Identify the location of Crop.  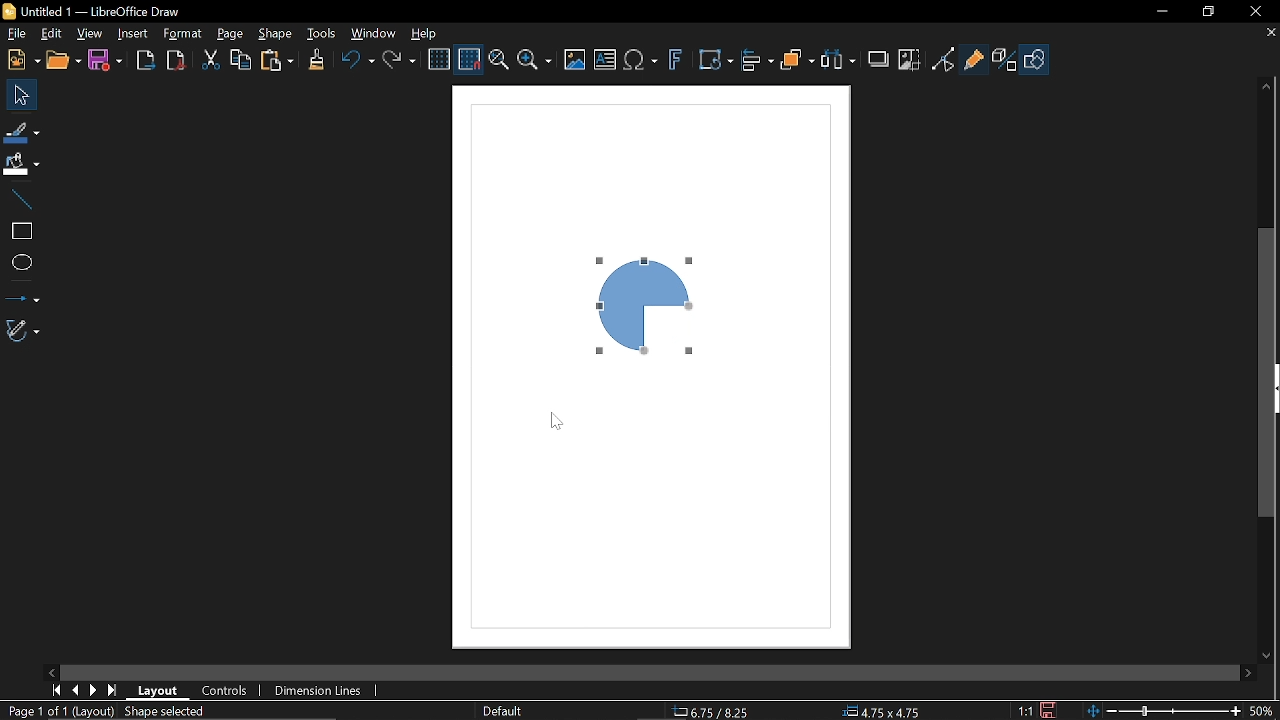
(908, 59).